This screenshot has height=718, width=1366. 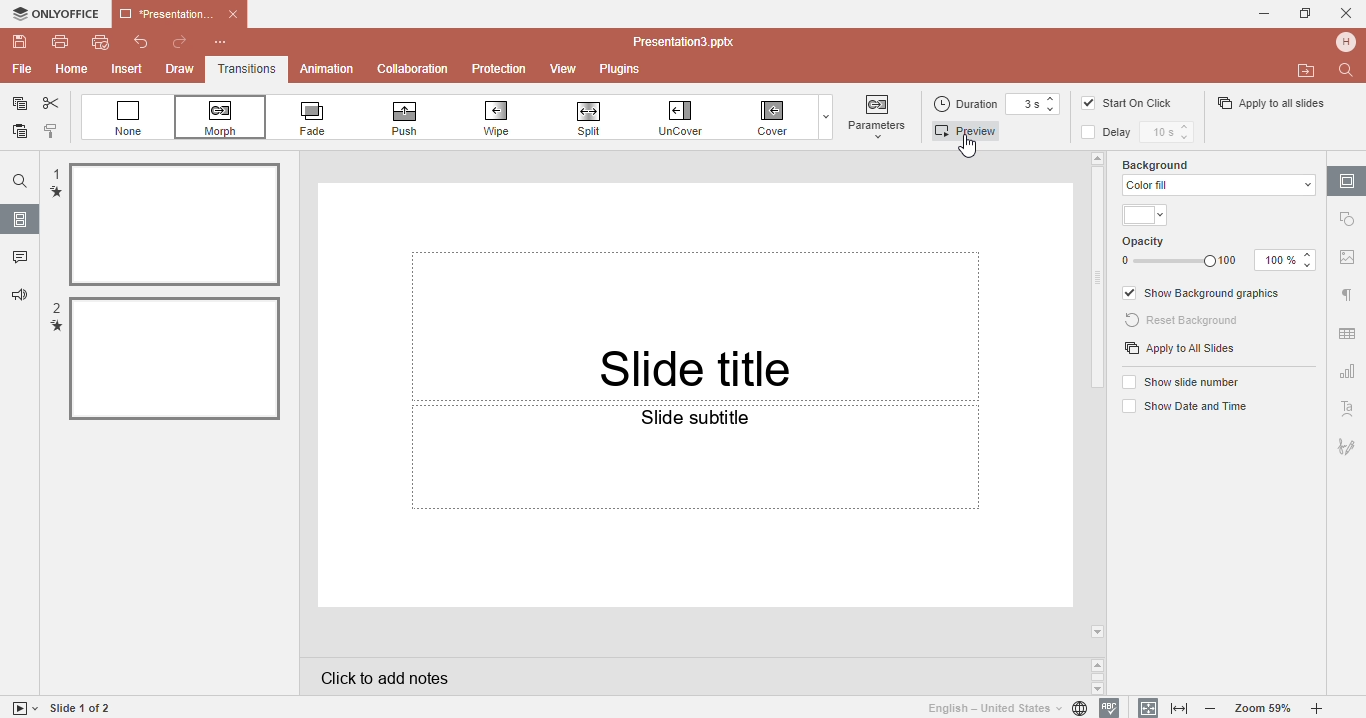 I want to click on slide title, so click(x=696, y=291).